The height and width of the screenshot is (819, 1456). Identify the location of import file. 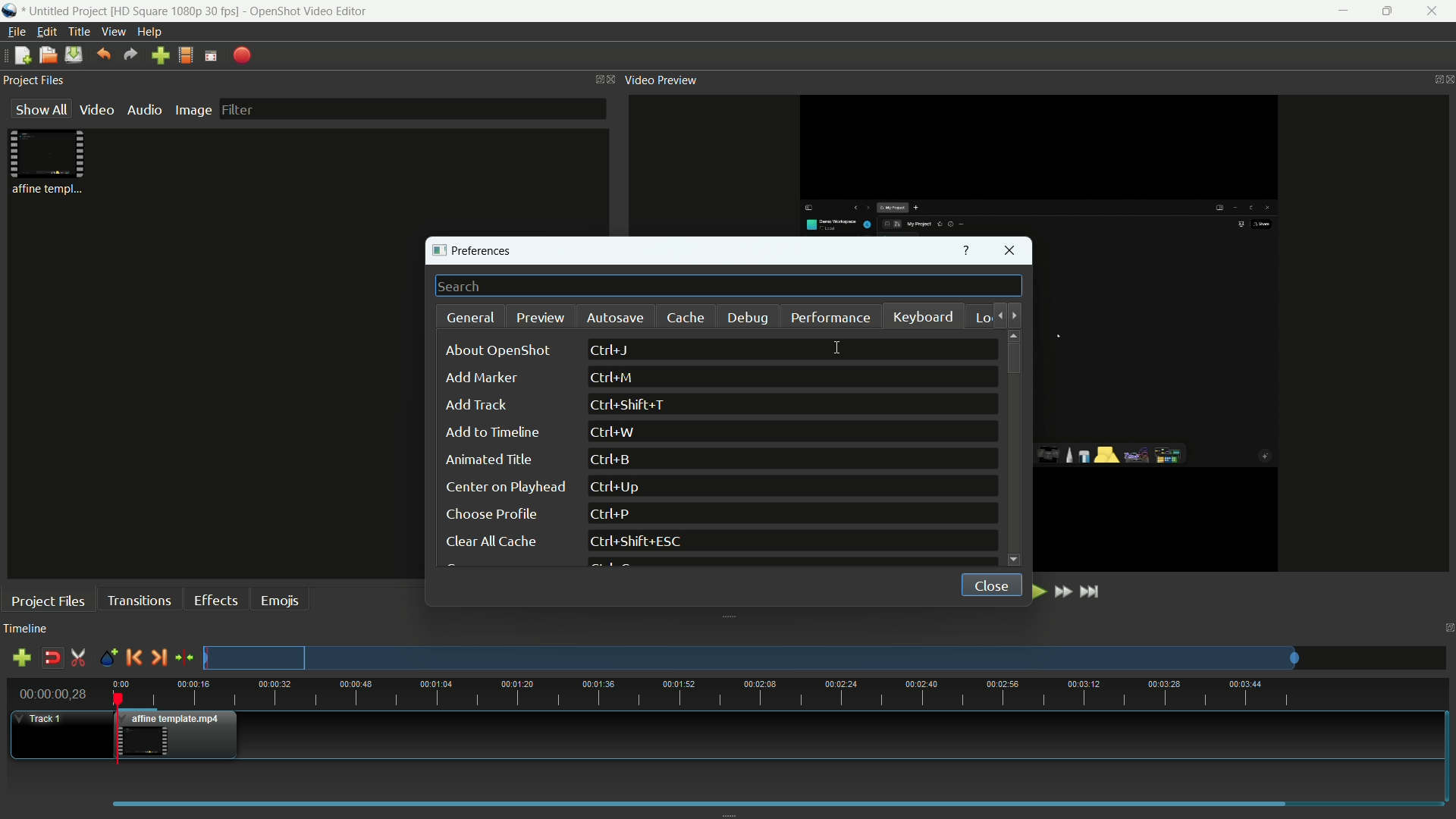
(161, 56).